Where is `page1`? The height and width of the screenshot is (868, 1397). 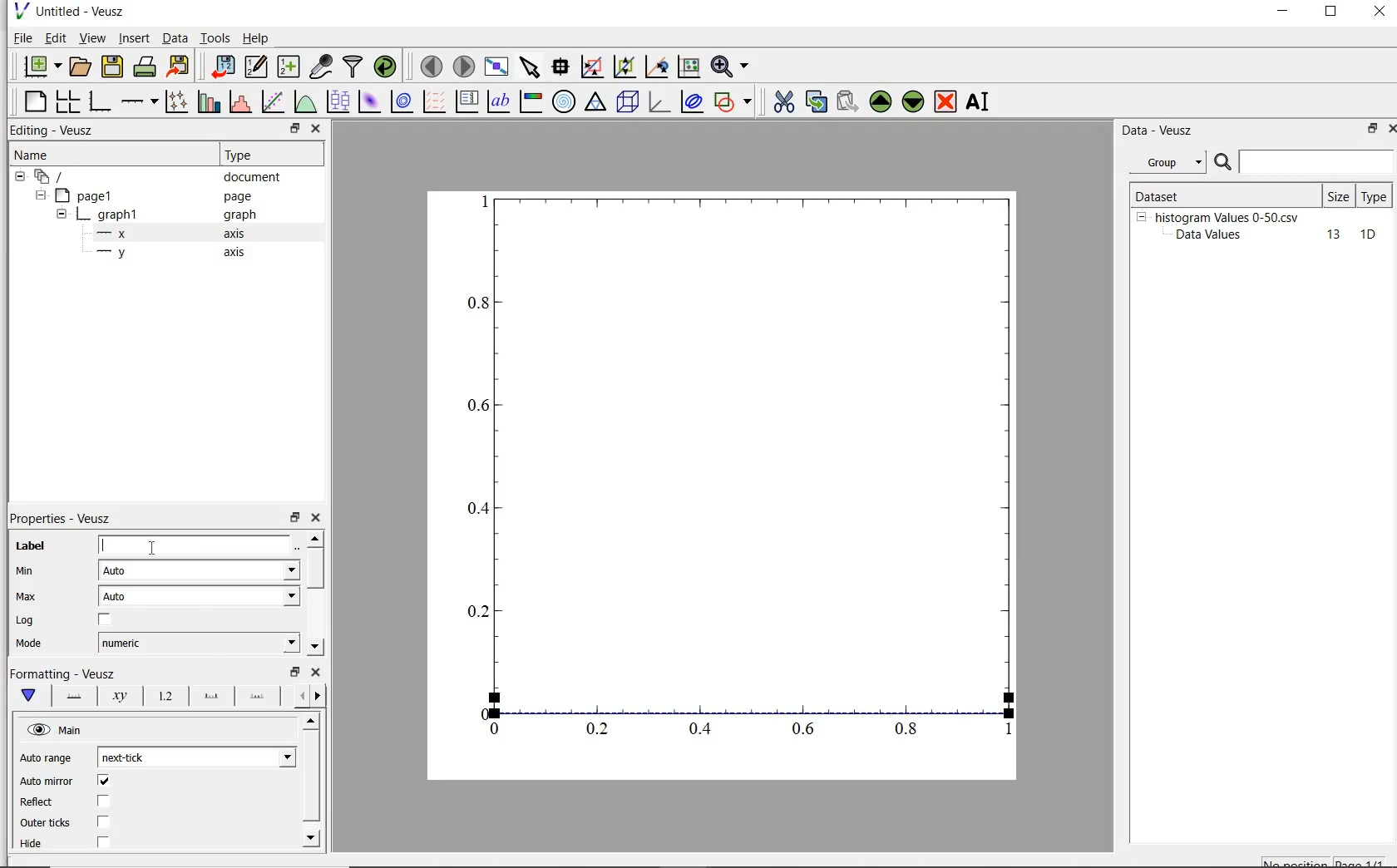
page1 is located at coordinates (87, 197).